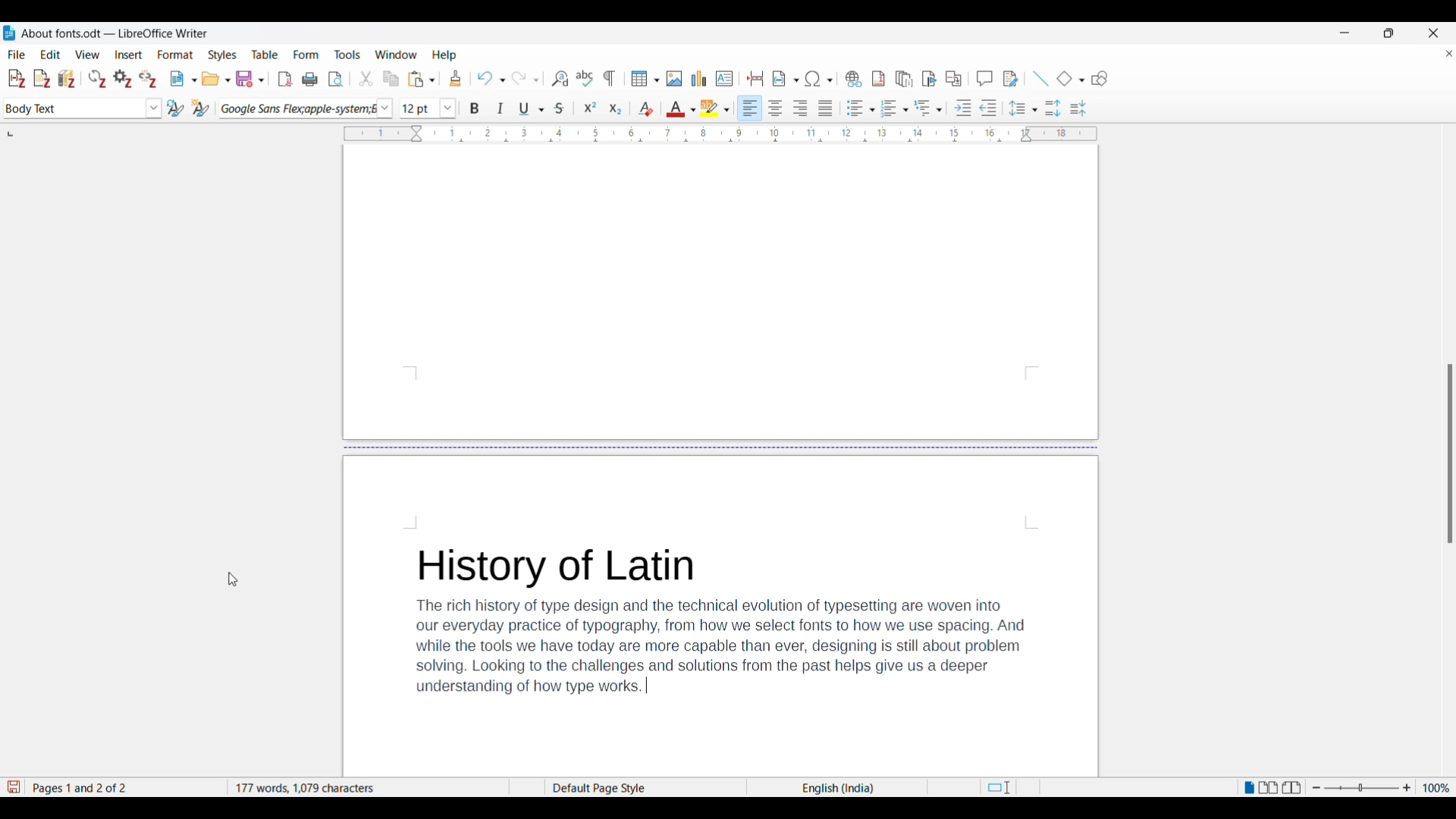 This screenshot has width=1456, height=819. Describe the element at coordinates (366, 78) in the screenshot. I see `Cut` at that location.